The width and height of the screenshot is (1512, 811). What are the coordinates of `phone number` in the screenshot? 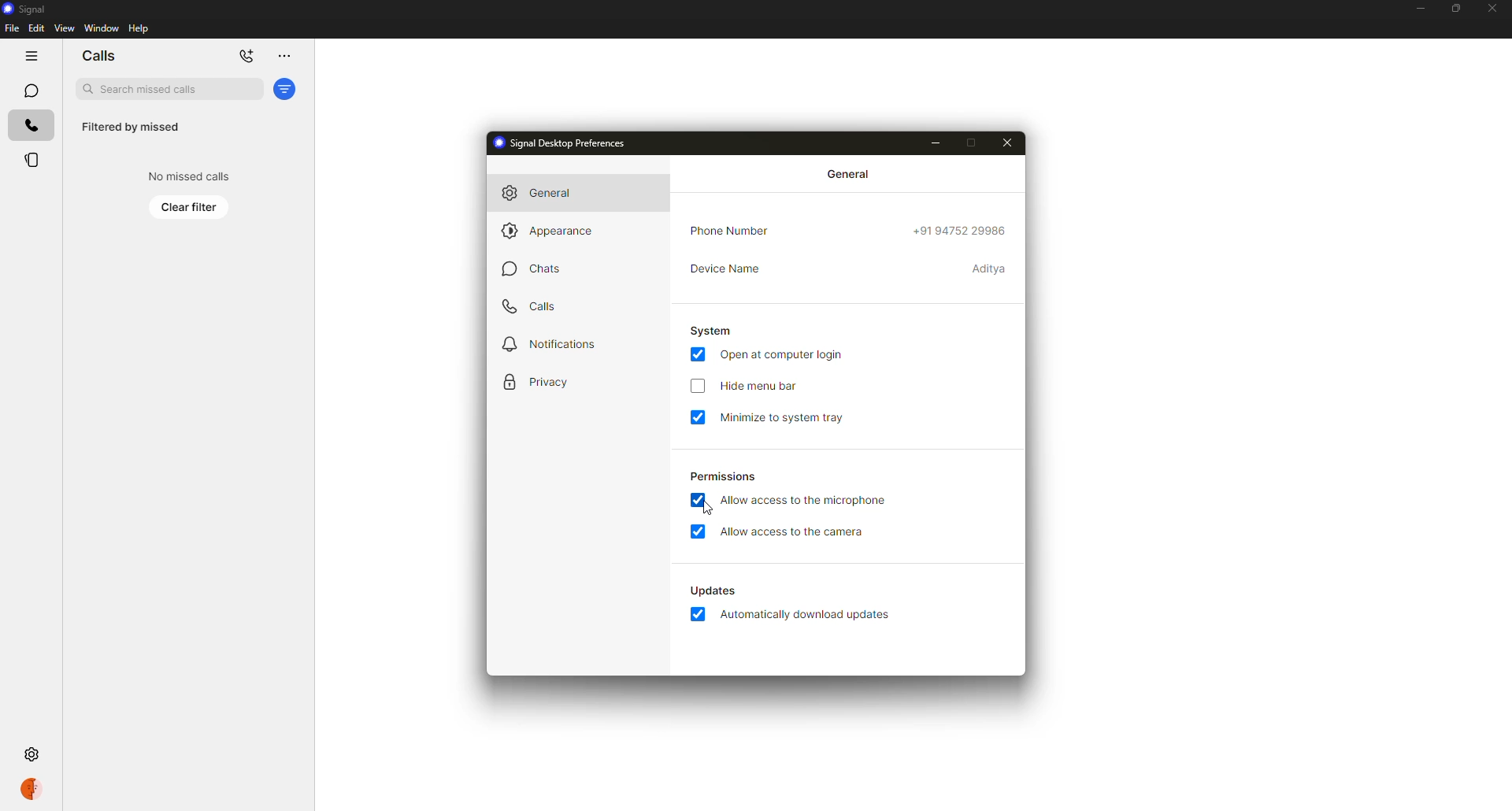 It's located at (961, 233).